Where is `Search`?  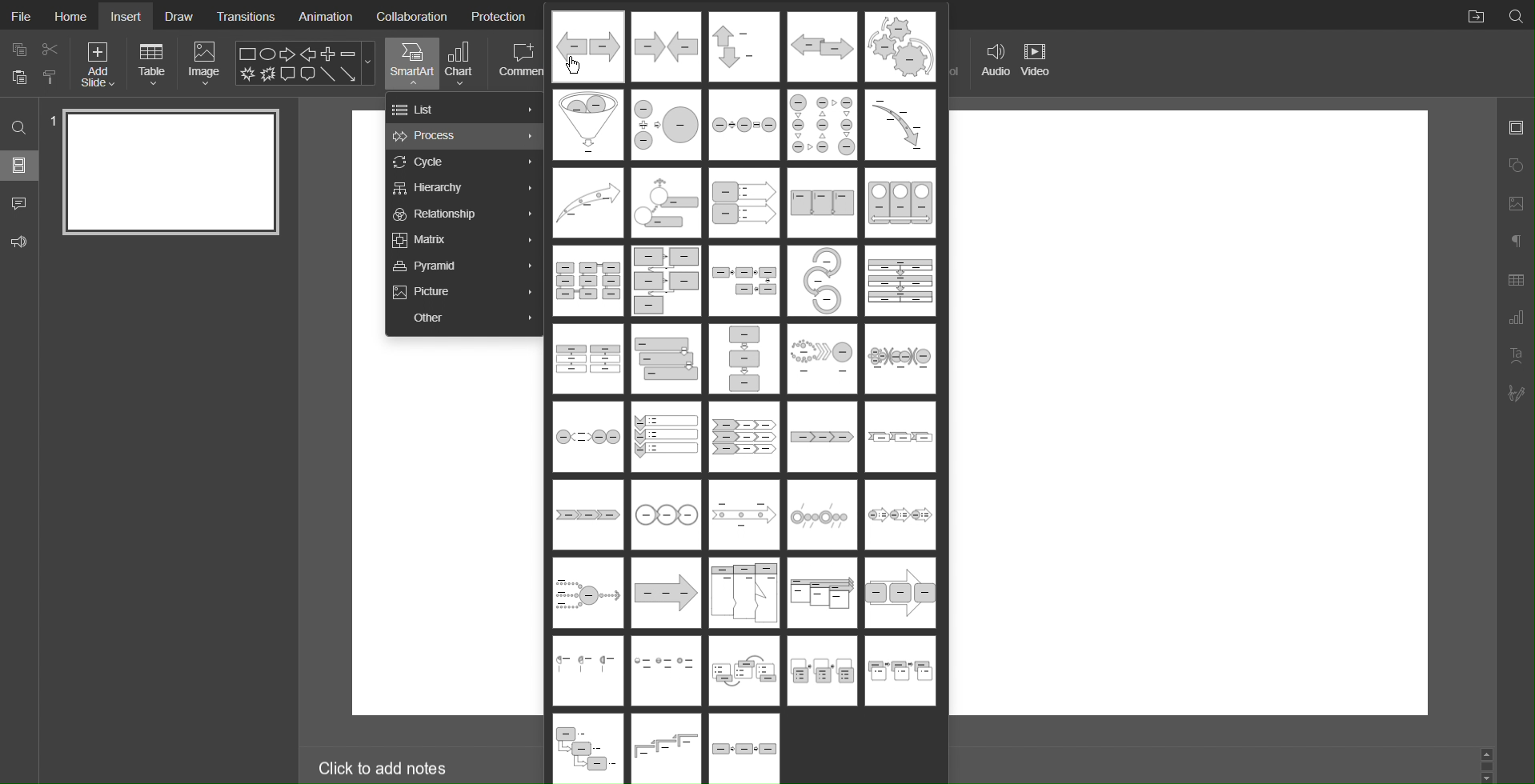 Search is located at coordinates (1516, 15).